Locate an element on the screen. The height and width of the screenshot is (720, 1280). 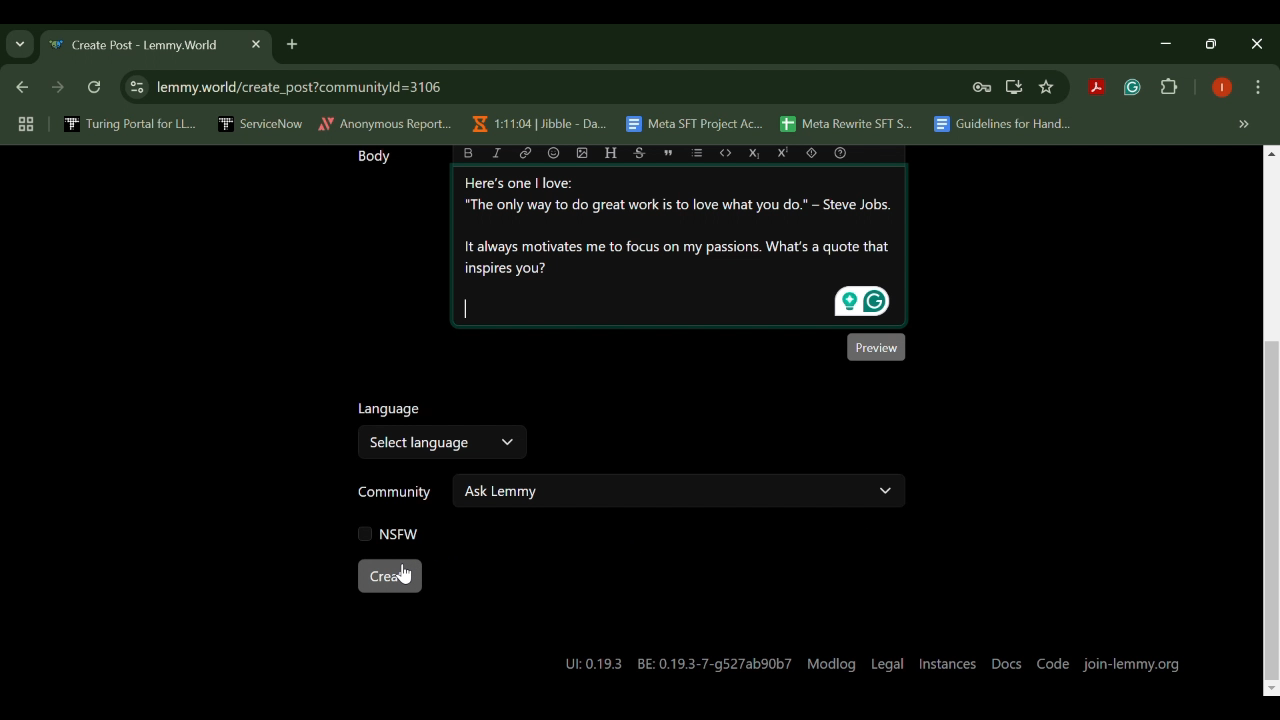
NSFW is located at coordinates (390, 533).